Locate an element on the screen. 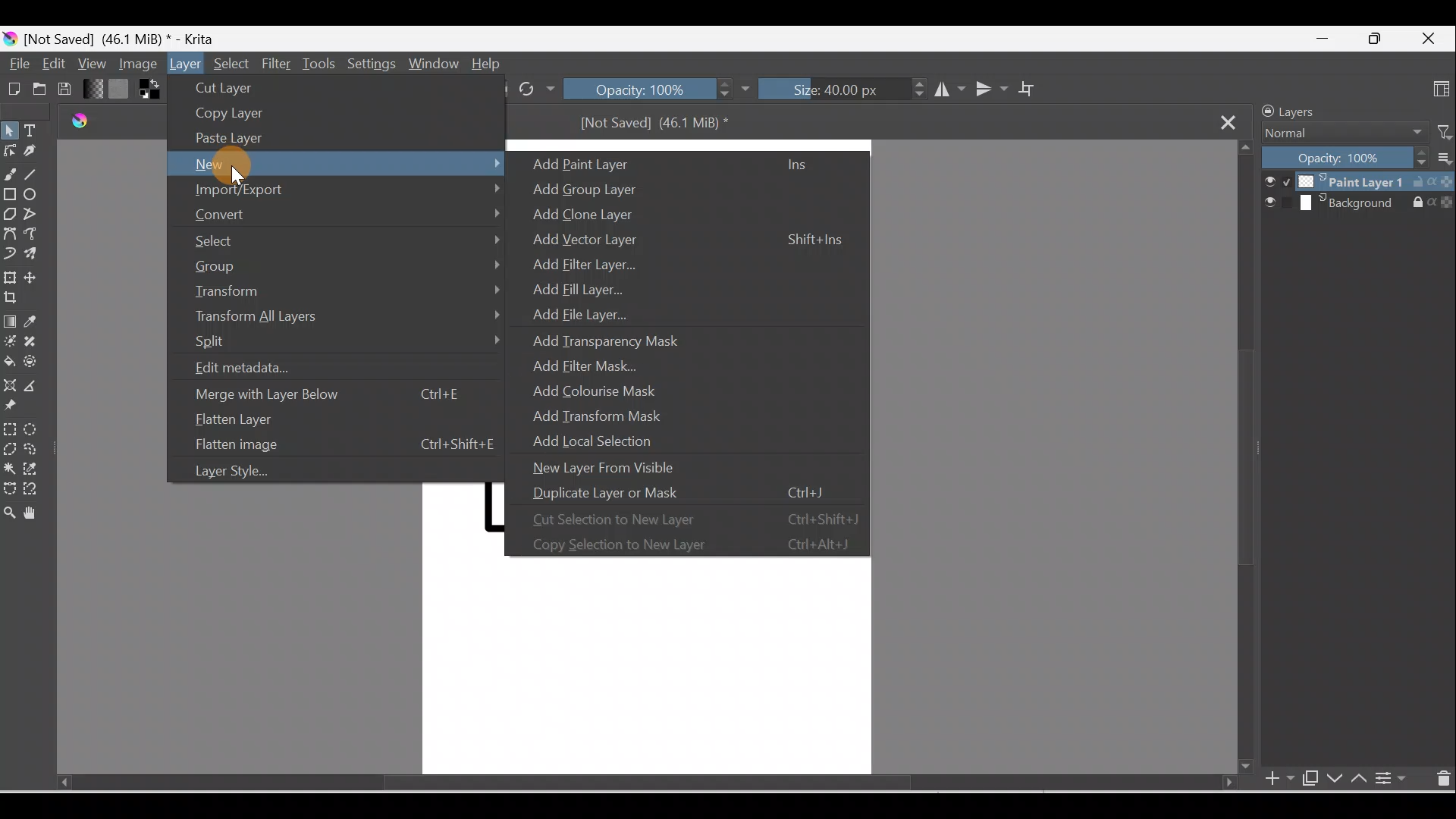 Image resolution: width=1456 pixels, height=819 pixels. Select shapes tool is located at coordinates (12, 130).